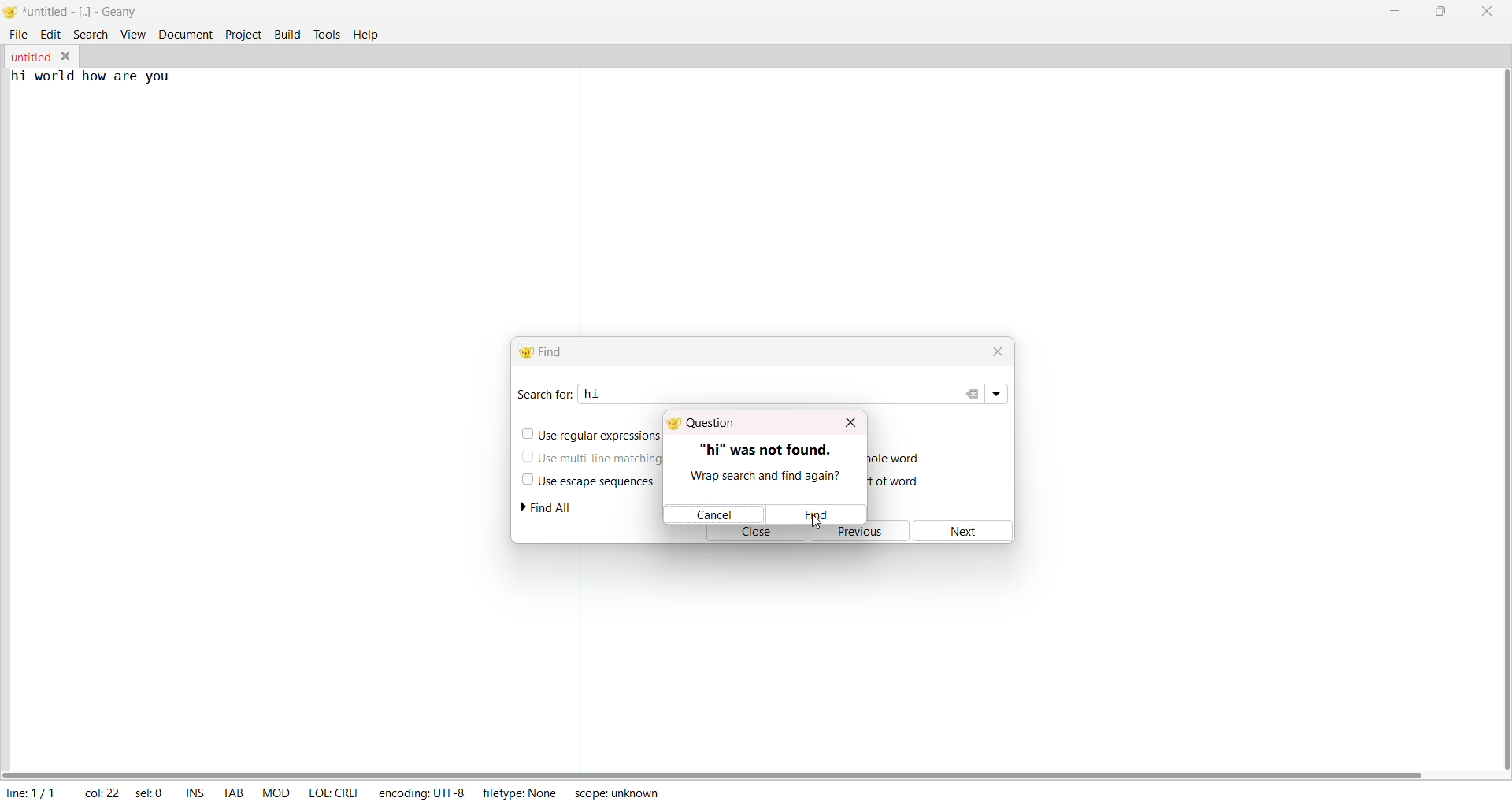  I want to click on search for:, so click(545, 394).